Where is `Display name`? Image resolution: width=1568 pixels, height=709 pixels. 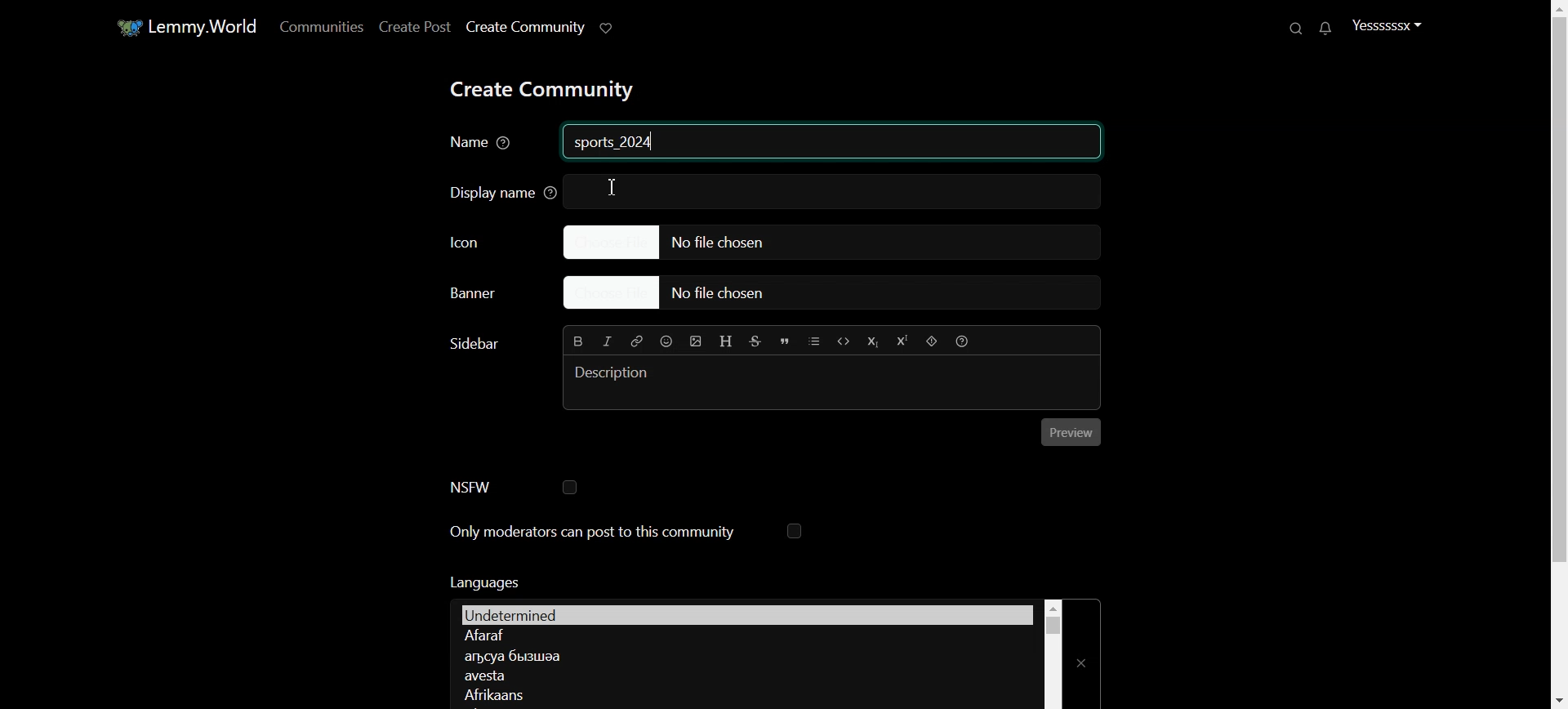
Display name is located at coordinates (496, 191).